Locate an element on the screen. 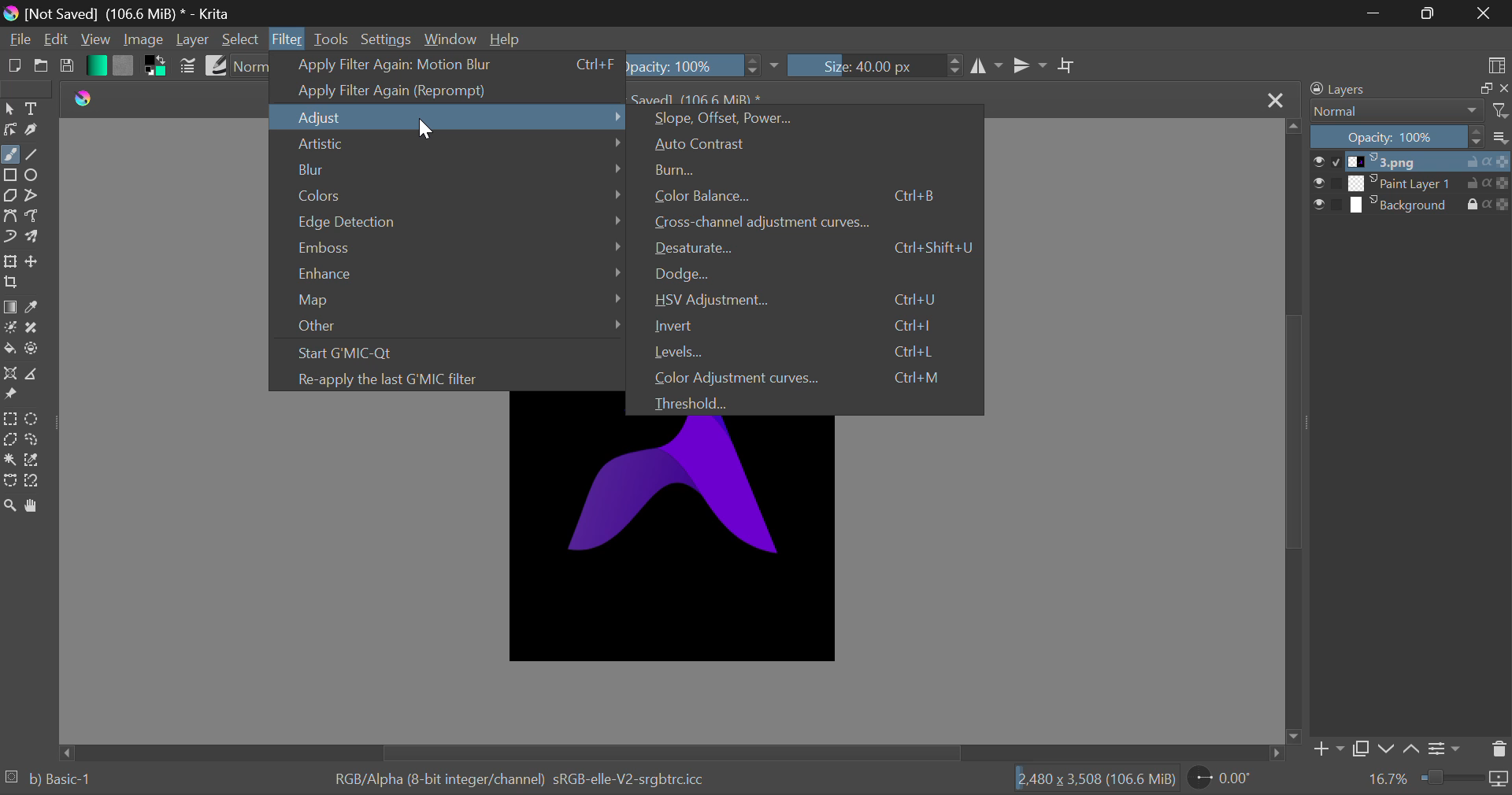  Adjust Menu Open is located at coordinates (450, 117).